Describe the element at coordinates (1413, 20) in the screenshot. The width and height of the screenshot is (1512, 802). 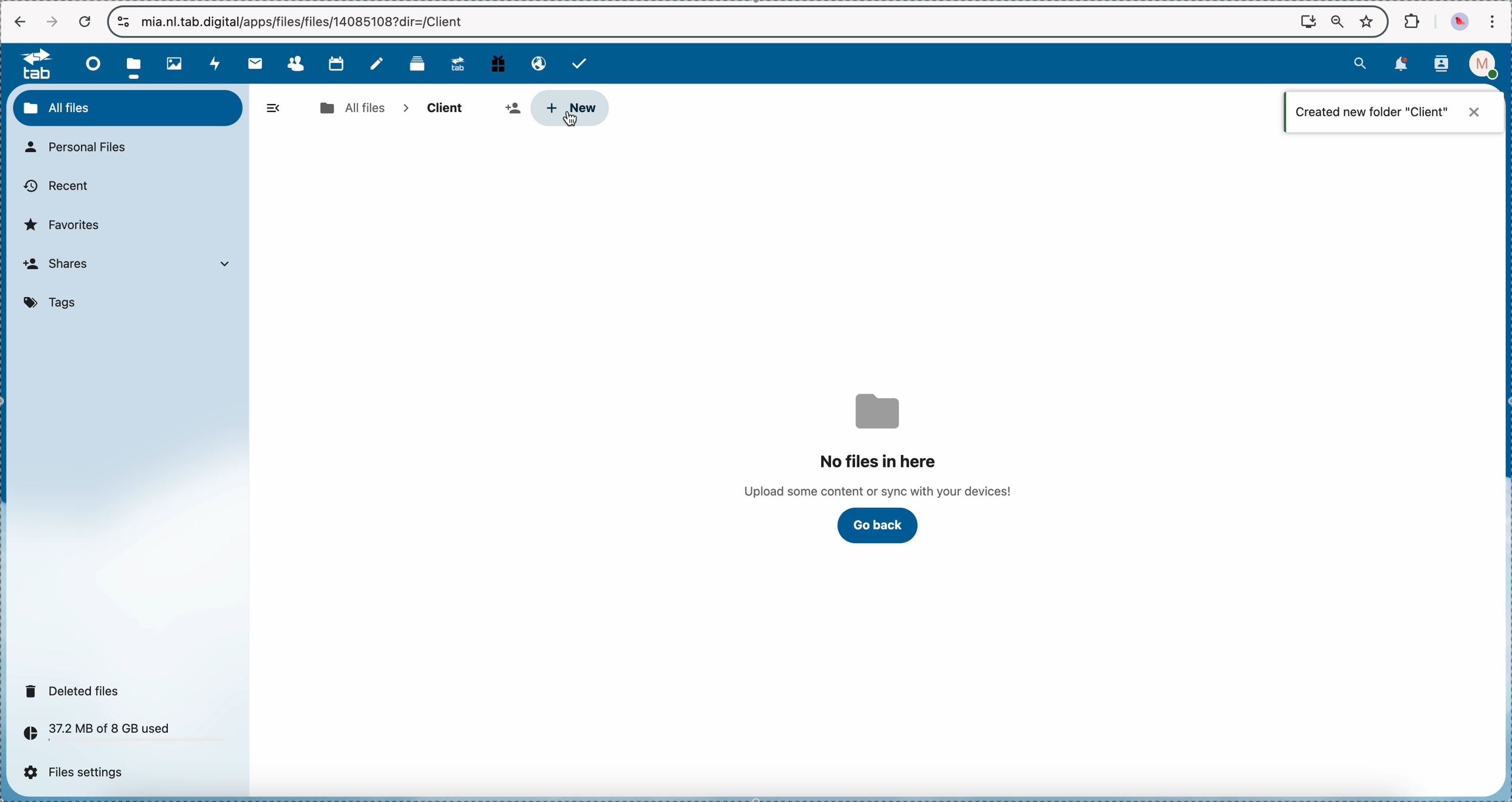
I see `extensions` at that location.